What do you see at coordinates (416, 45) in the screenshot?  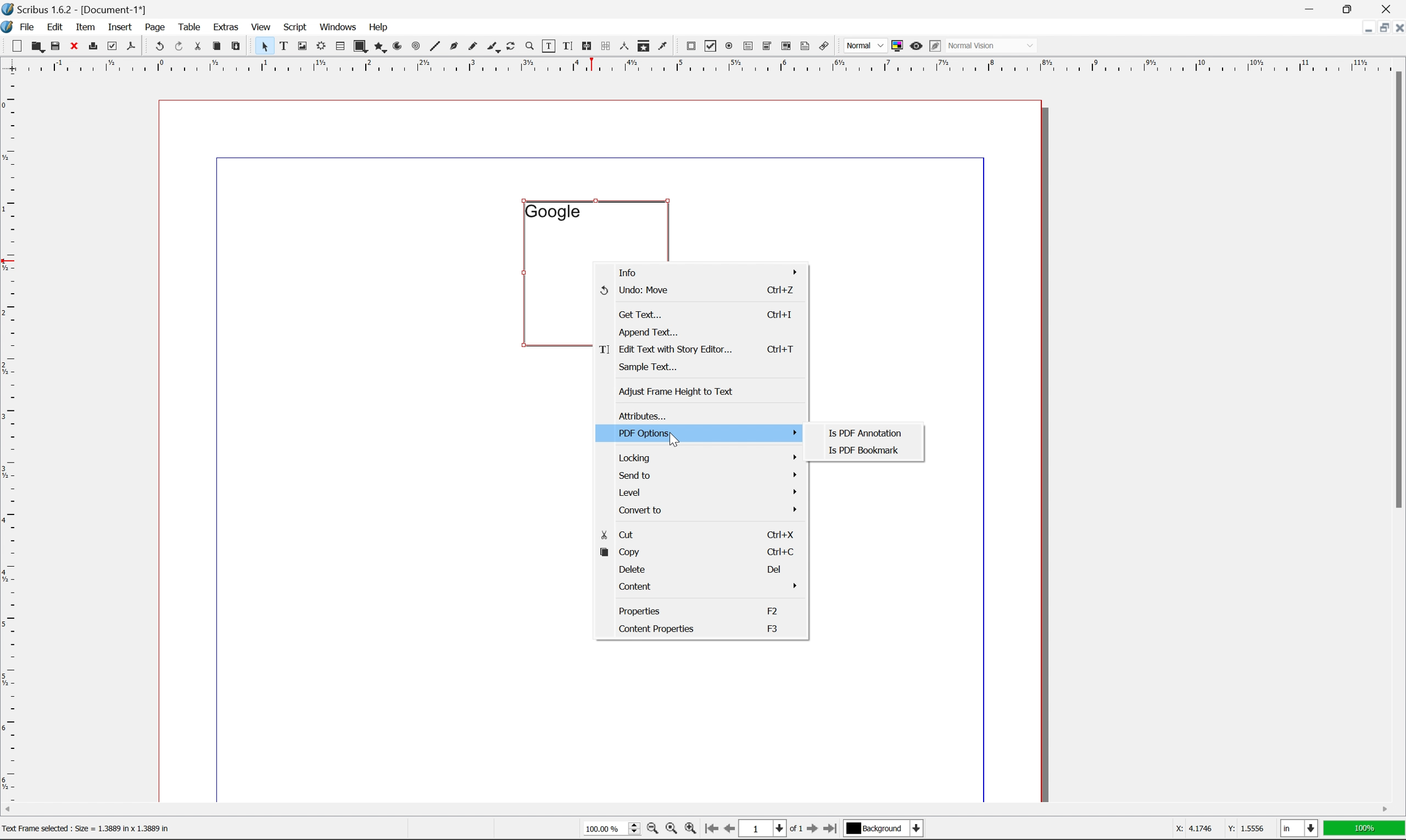 I see `spiral` at bounding box center [416, 45].